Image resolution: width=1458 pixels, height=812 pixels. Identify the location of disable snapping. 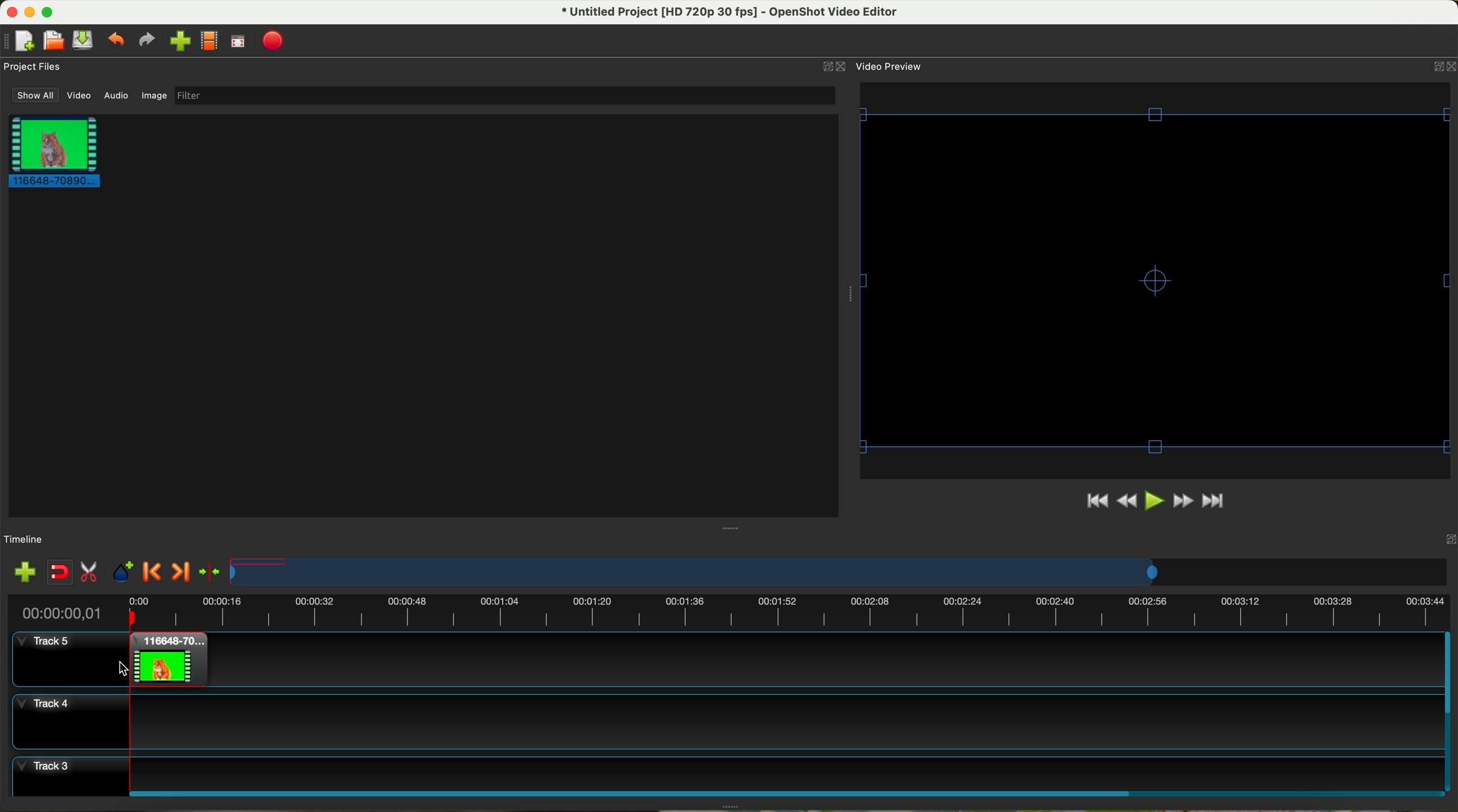
(60, 572).